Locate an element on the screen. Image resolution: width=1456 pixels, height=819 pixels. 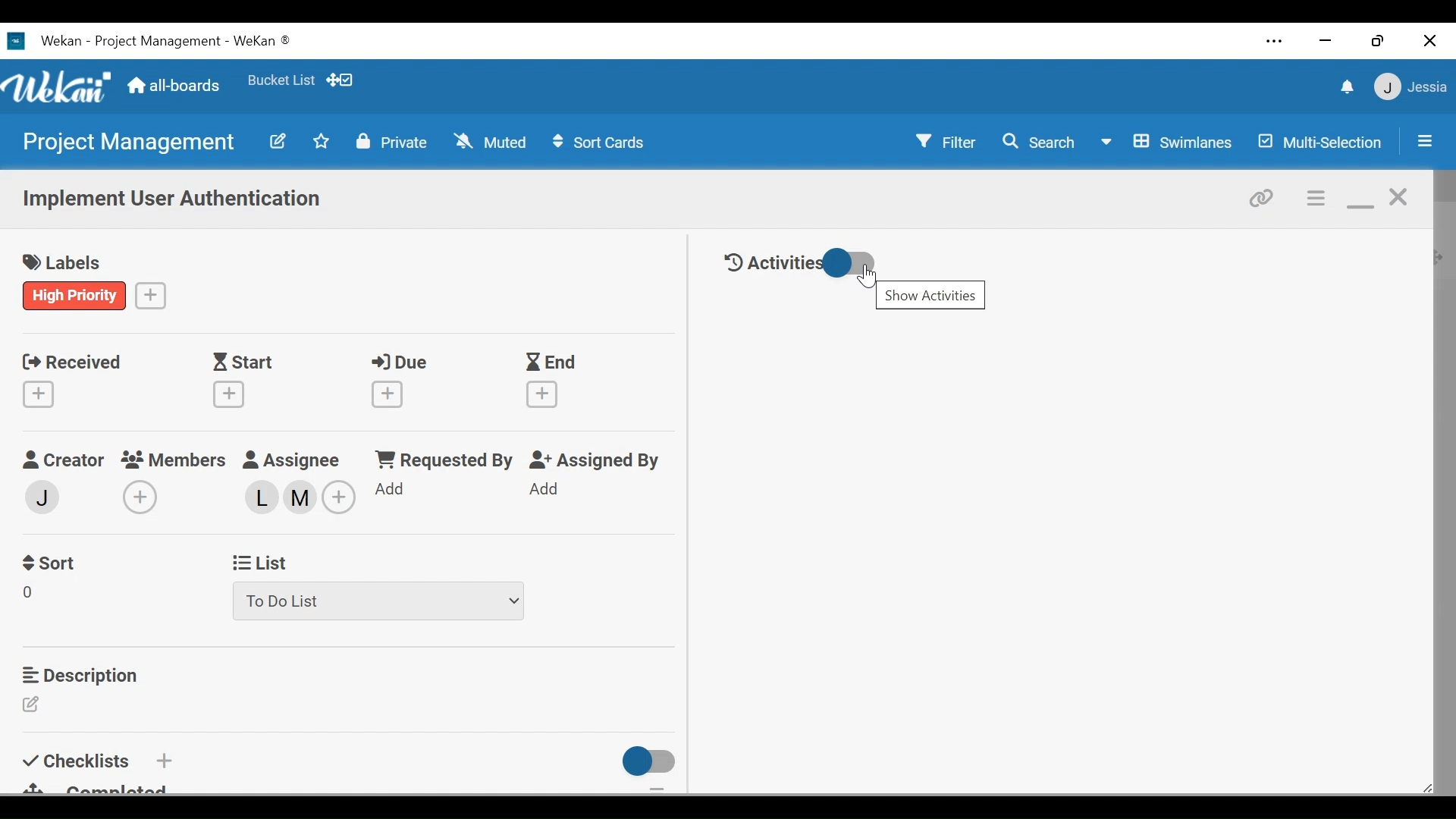
Add members is located at coordinates (339, 497).